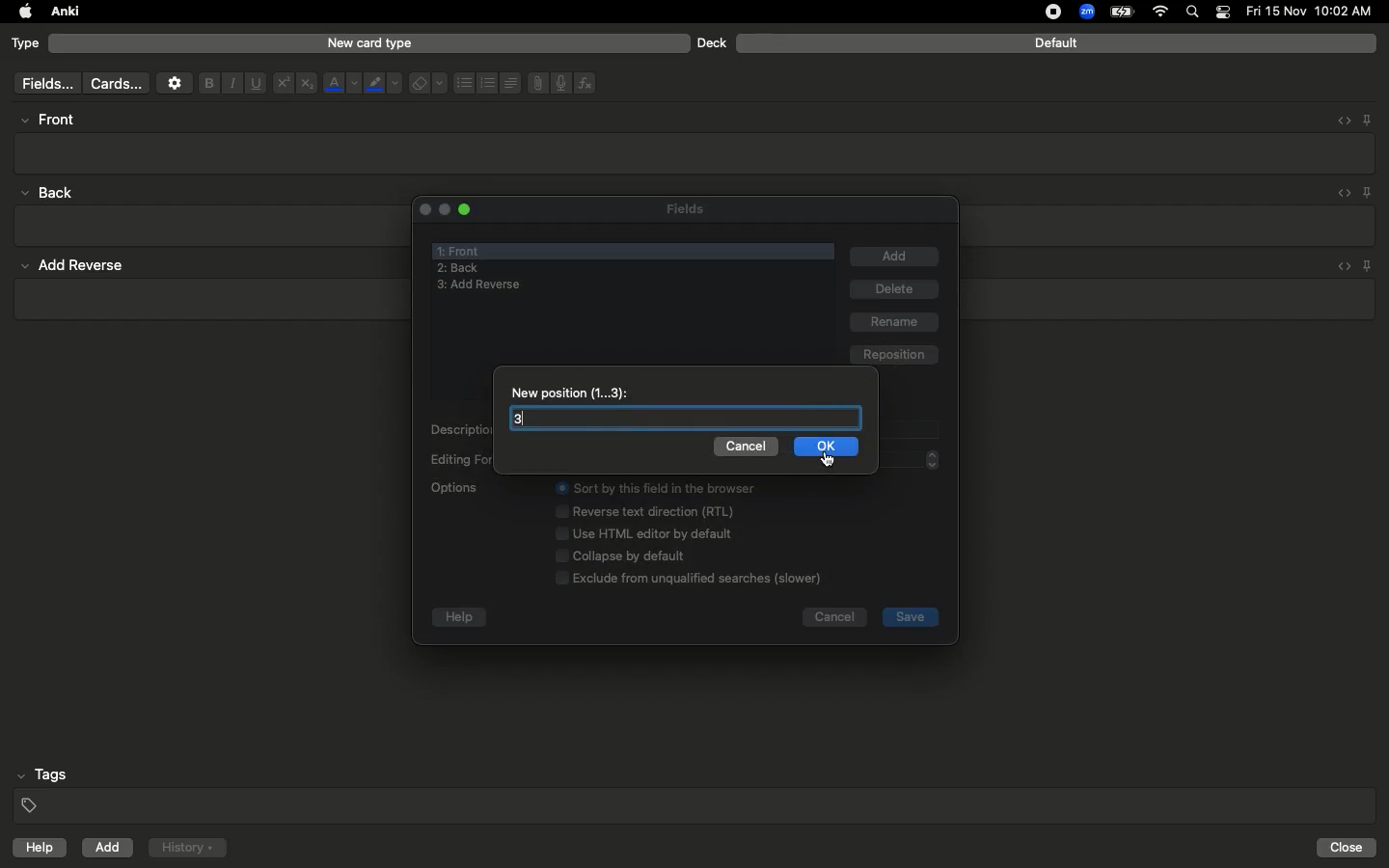 The image size is (1389, 868). Describe the element at coordinates (187, 848) in the screenshot. I see `History` at that location.